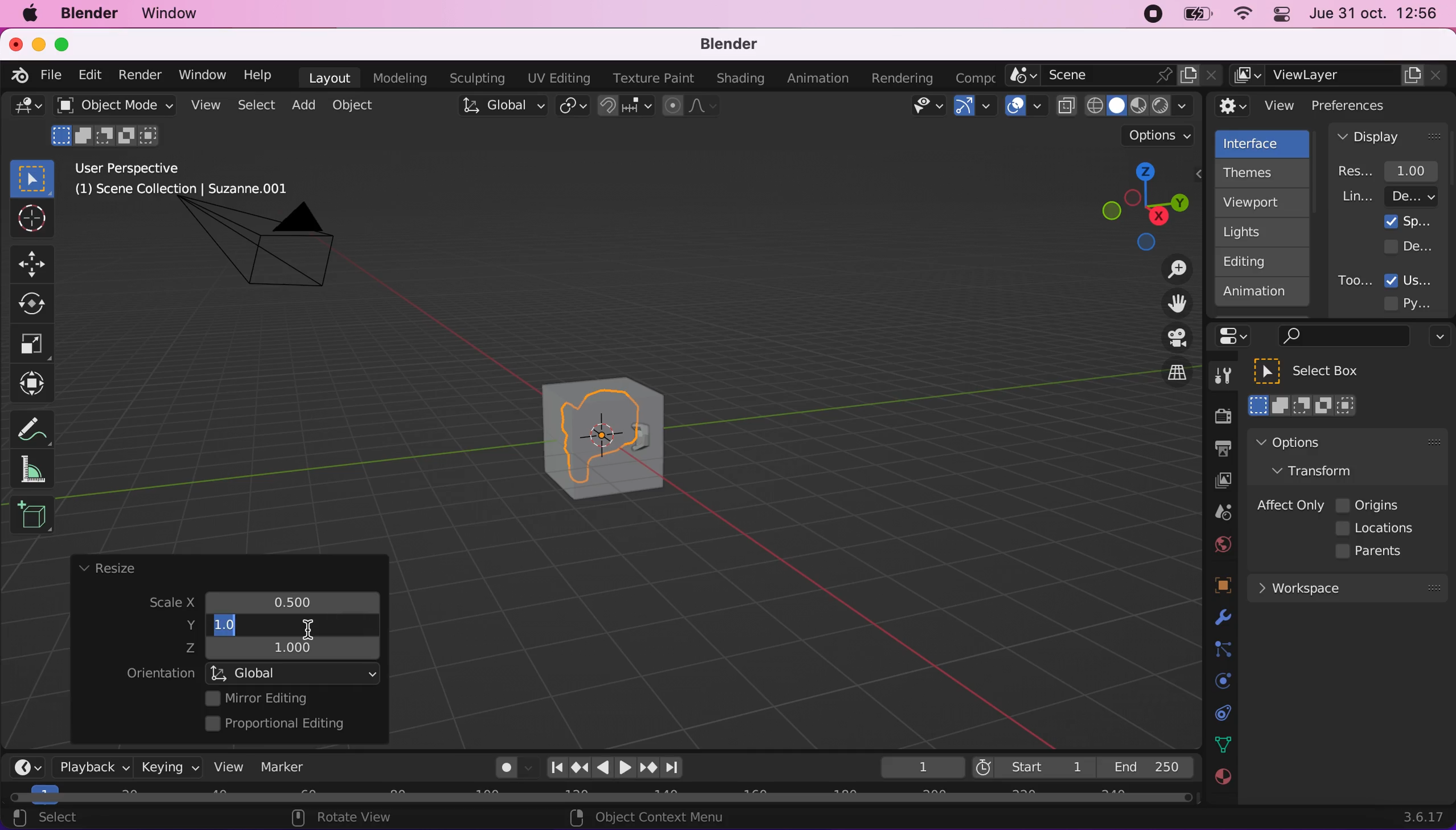  What do you see at coordinates (1340, 76) in the screenshot?
I see `view layer` at bounding box center [1340, 76].